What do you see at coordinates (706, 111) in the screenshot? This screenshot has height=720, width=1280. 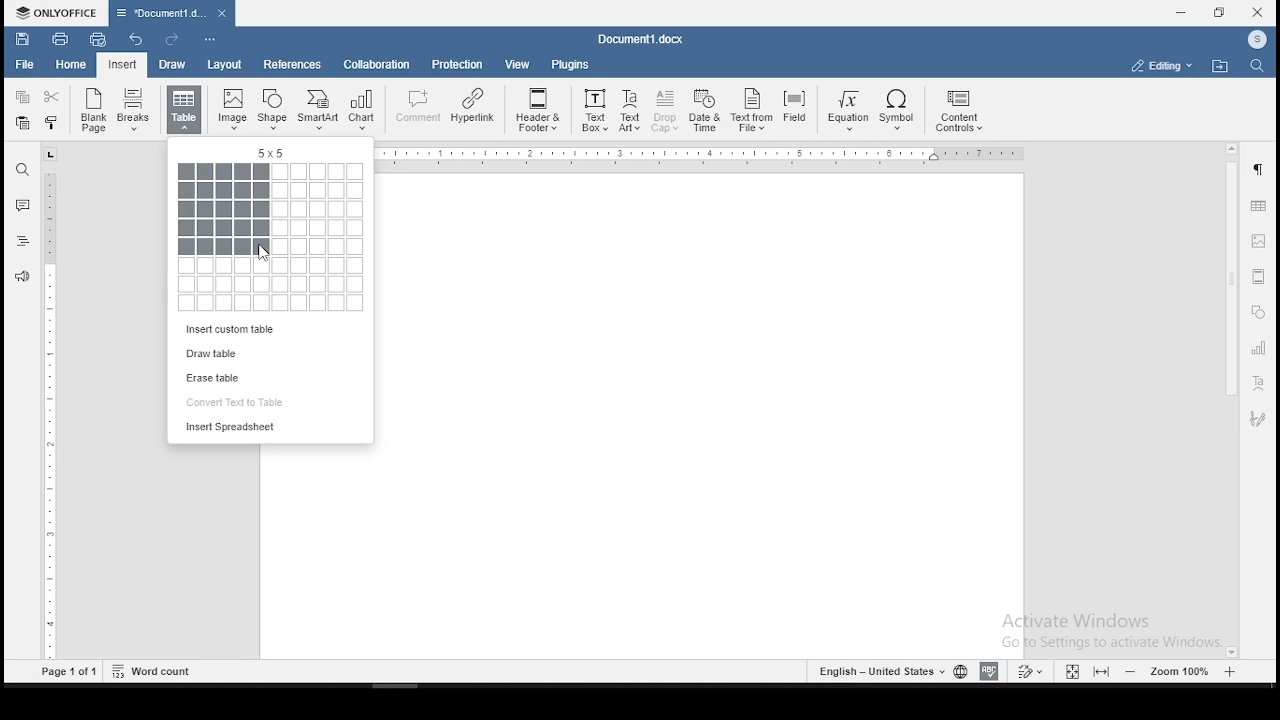 I see `Date & Time` at bounding box center [706, 111].